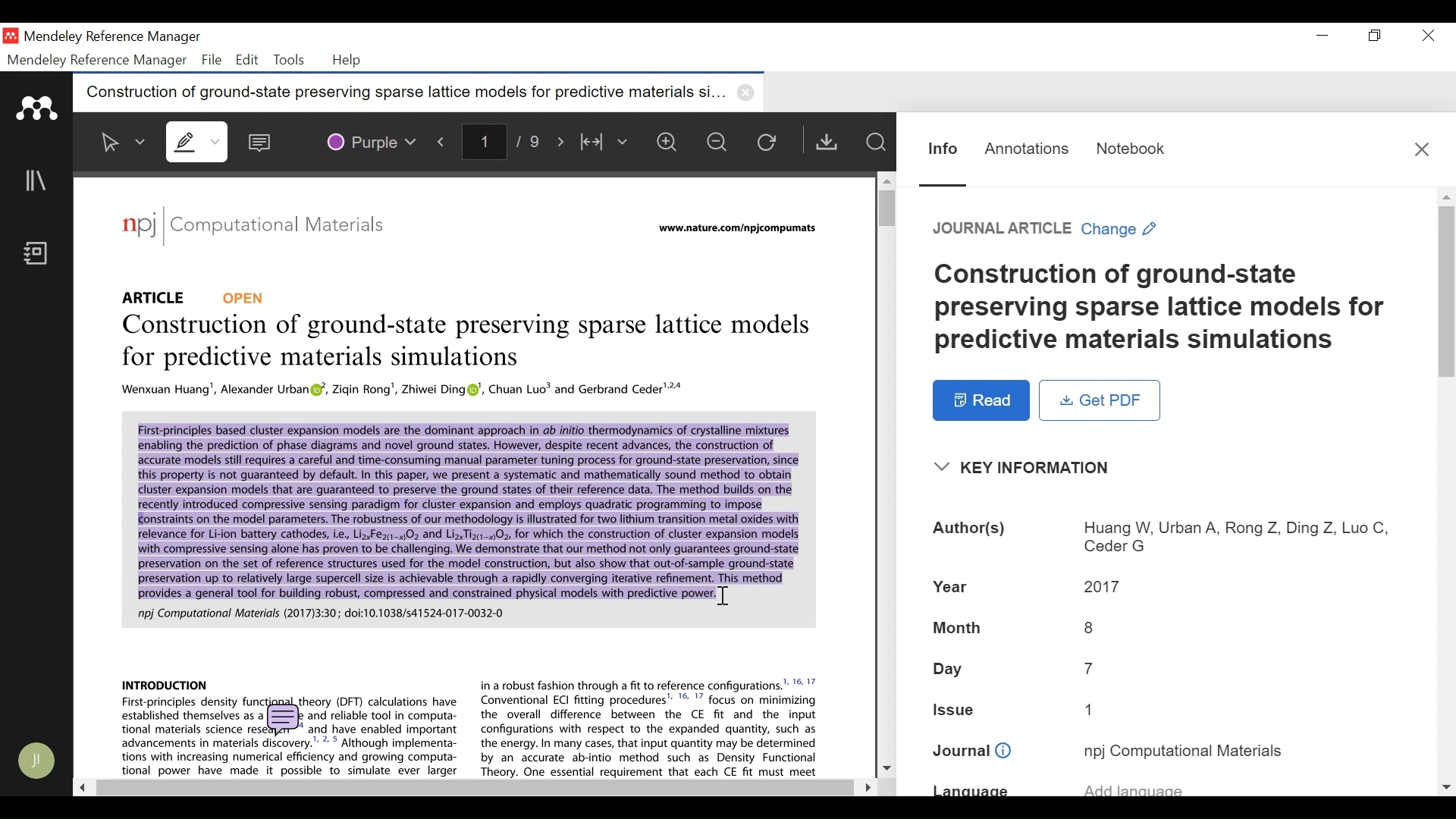  What do you see at coordinates (286, 720) in the screenshot?
I see `comment` at bounding box center [286, 720].